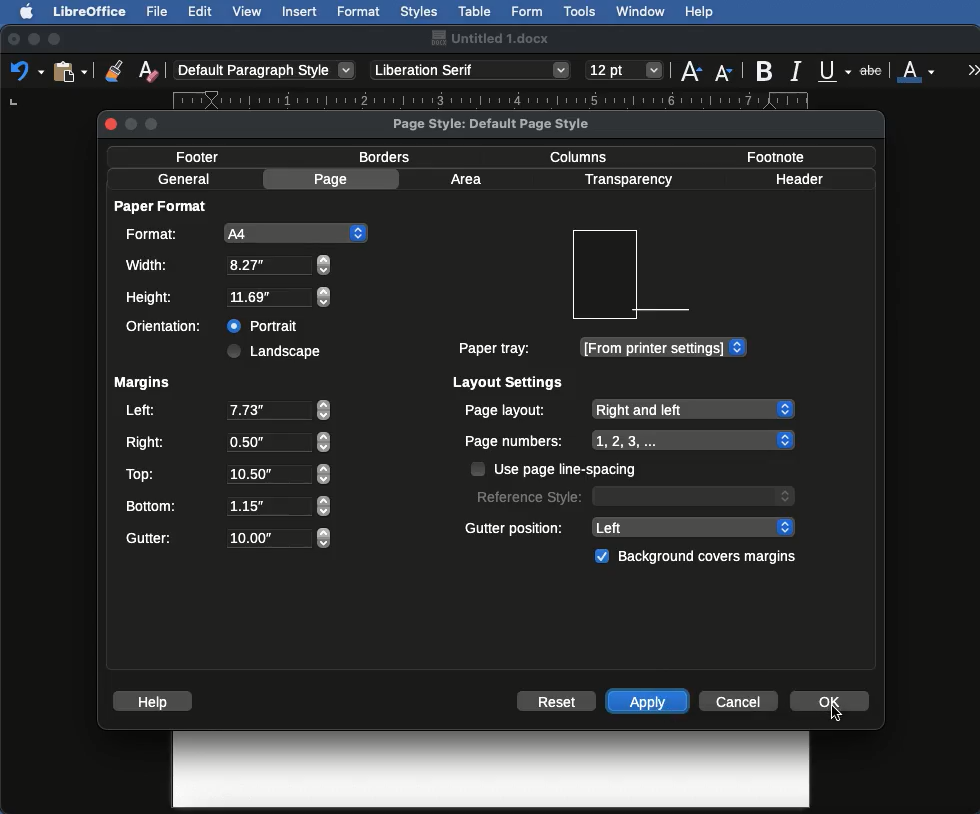 The height and width of the screenshot is (814, 980). What do you see at coordinates (829, 700) in the screenshot?
I see `OK` at bounding box center [829, 700].